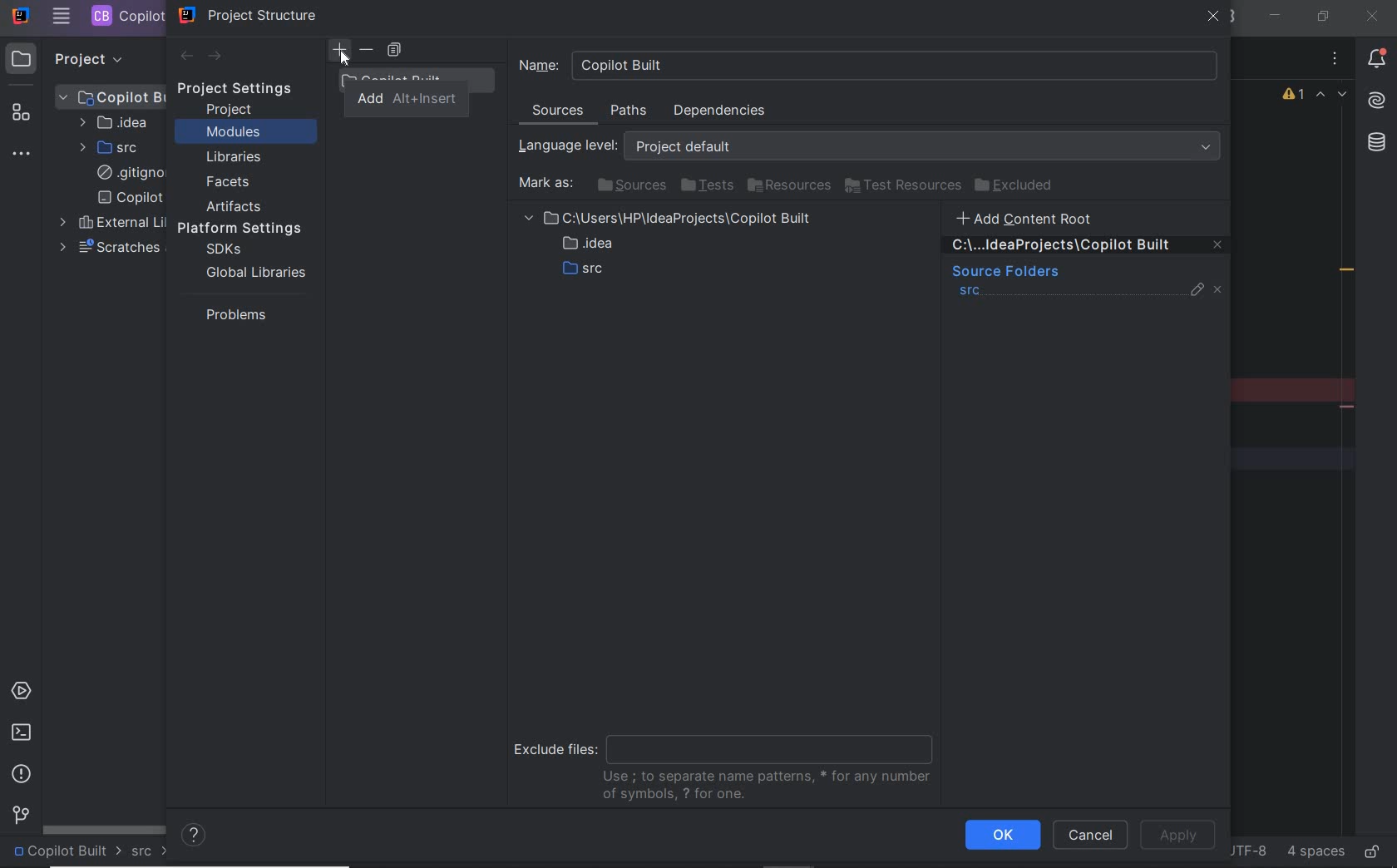 This screenshot has width=1397, height=868. Describe the element at coordinates (1295, 96) in the screenshot. I see `1 warning` at that location.